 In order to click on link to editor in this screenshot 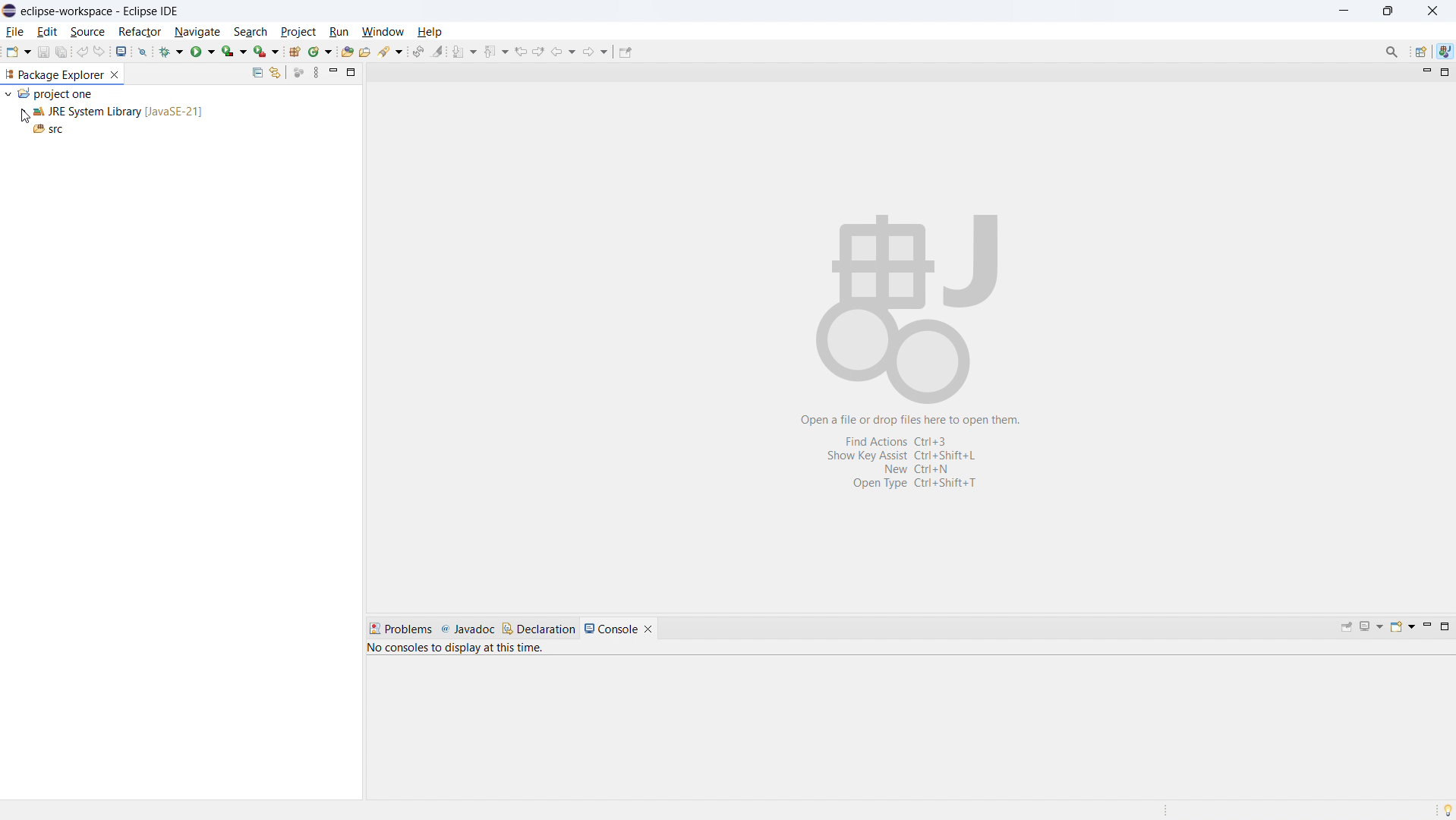, I will do `click(275, 72)`.